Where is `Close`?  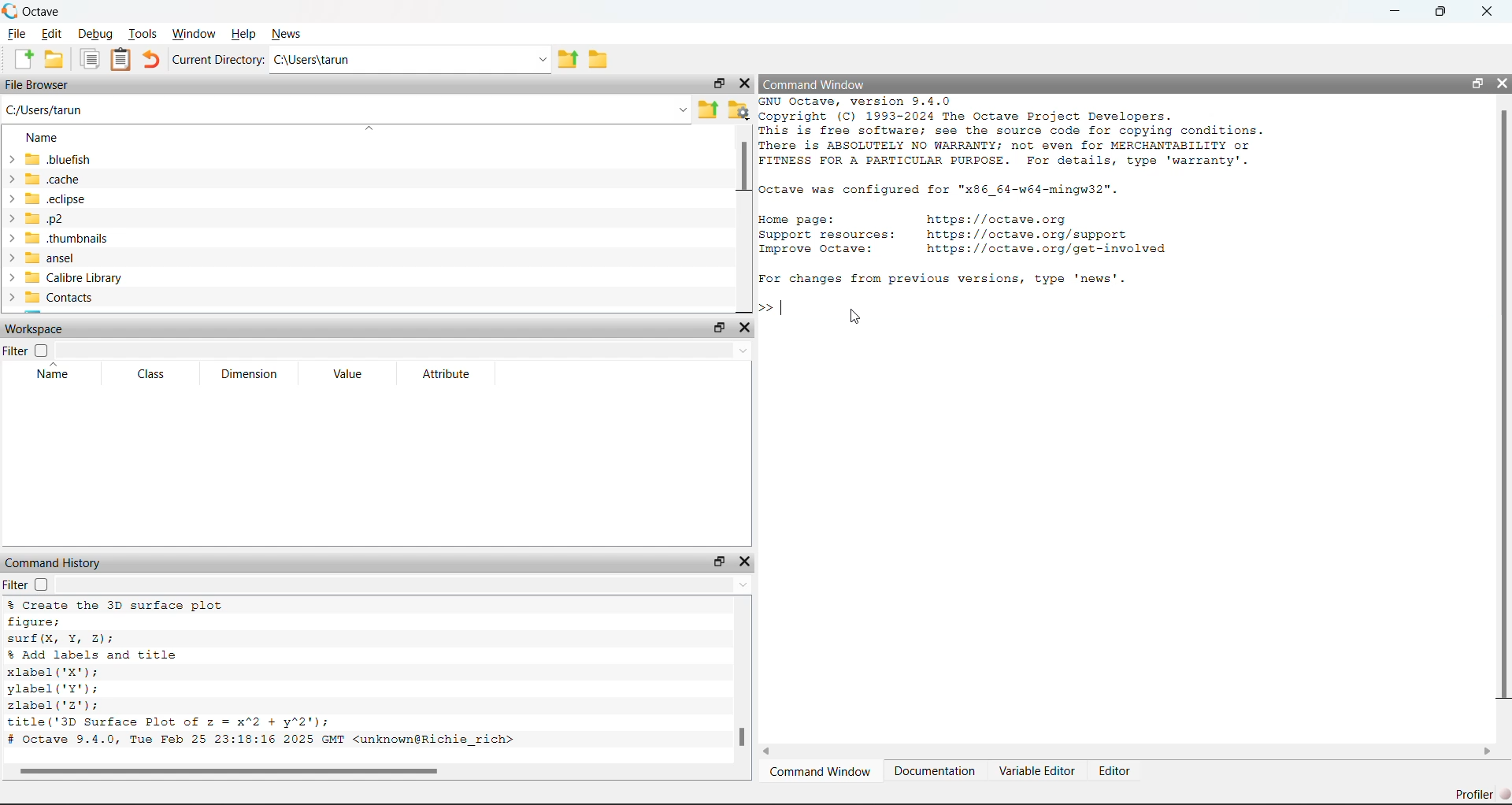 Close is located at coordinates (743, 83).